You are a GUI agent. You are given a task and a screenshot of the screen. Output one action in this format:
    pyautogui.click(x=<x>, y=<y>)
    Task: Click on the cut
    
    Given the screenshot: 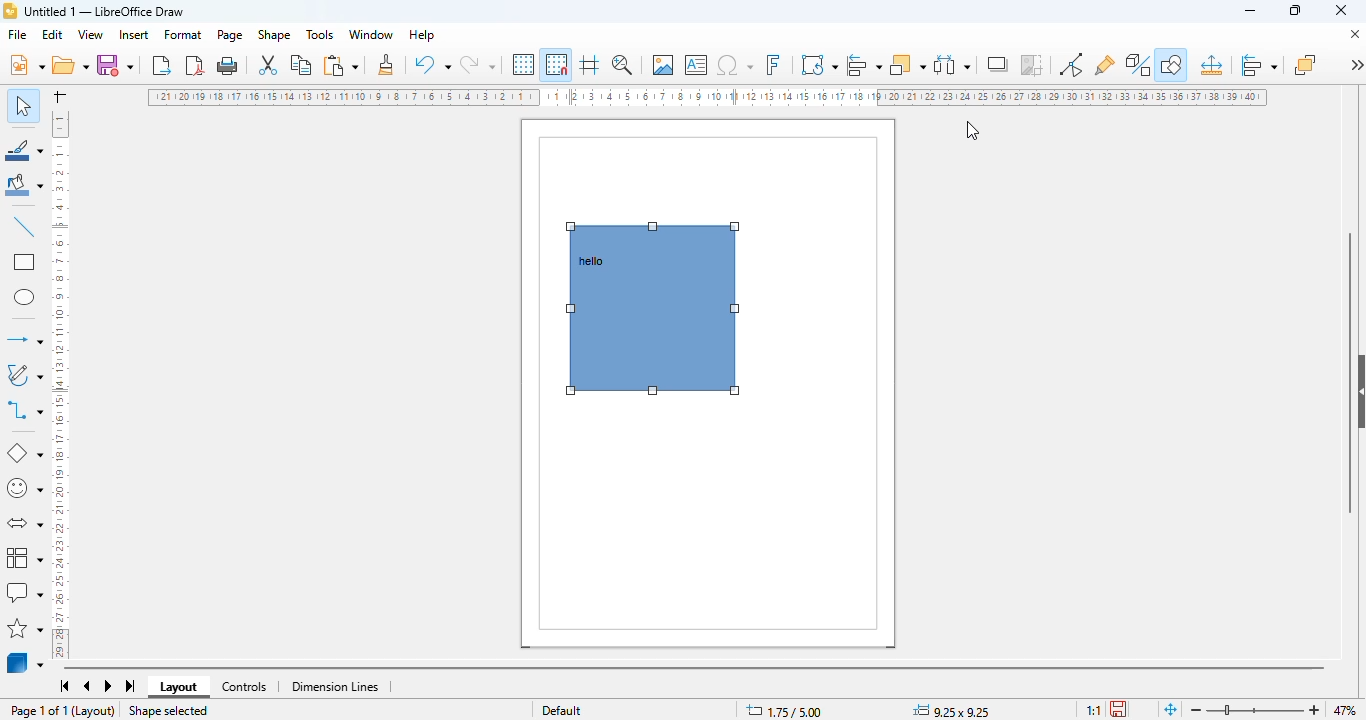 What is the action you would take?
    pyautogui.click(x=269, y=65)
    